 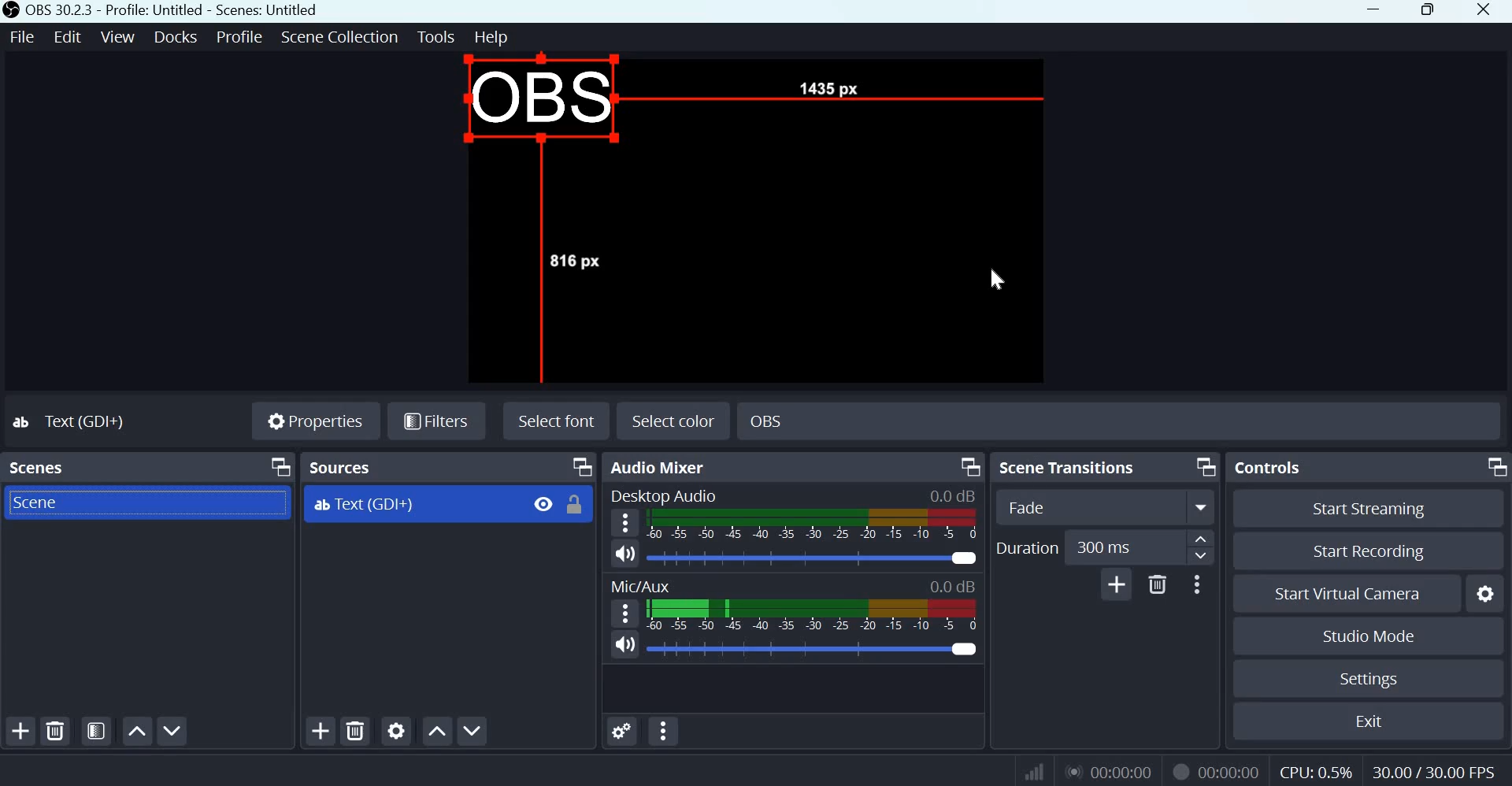 What do you see at coordinates (541, 103) in the screenshot?
I see `OBS` at bounding box center [541, 103].